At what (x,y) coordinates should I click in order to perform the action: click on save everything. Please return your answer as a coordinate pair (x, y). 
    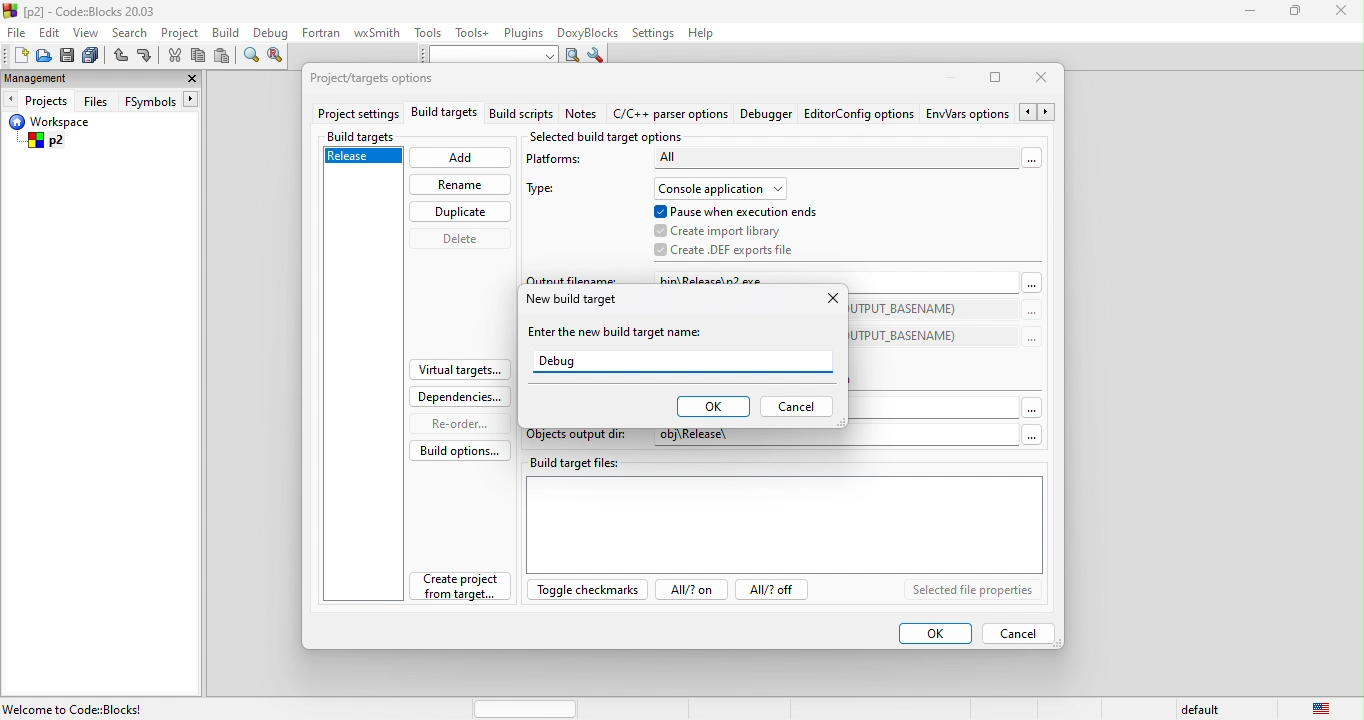
    Looking at the image, I should click on (92, 56).